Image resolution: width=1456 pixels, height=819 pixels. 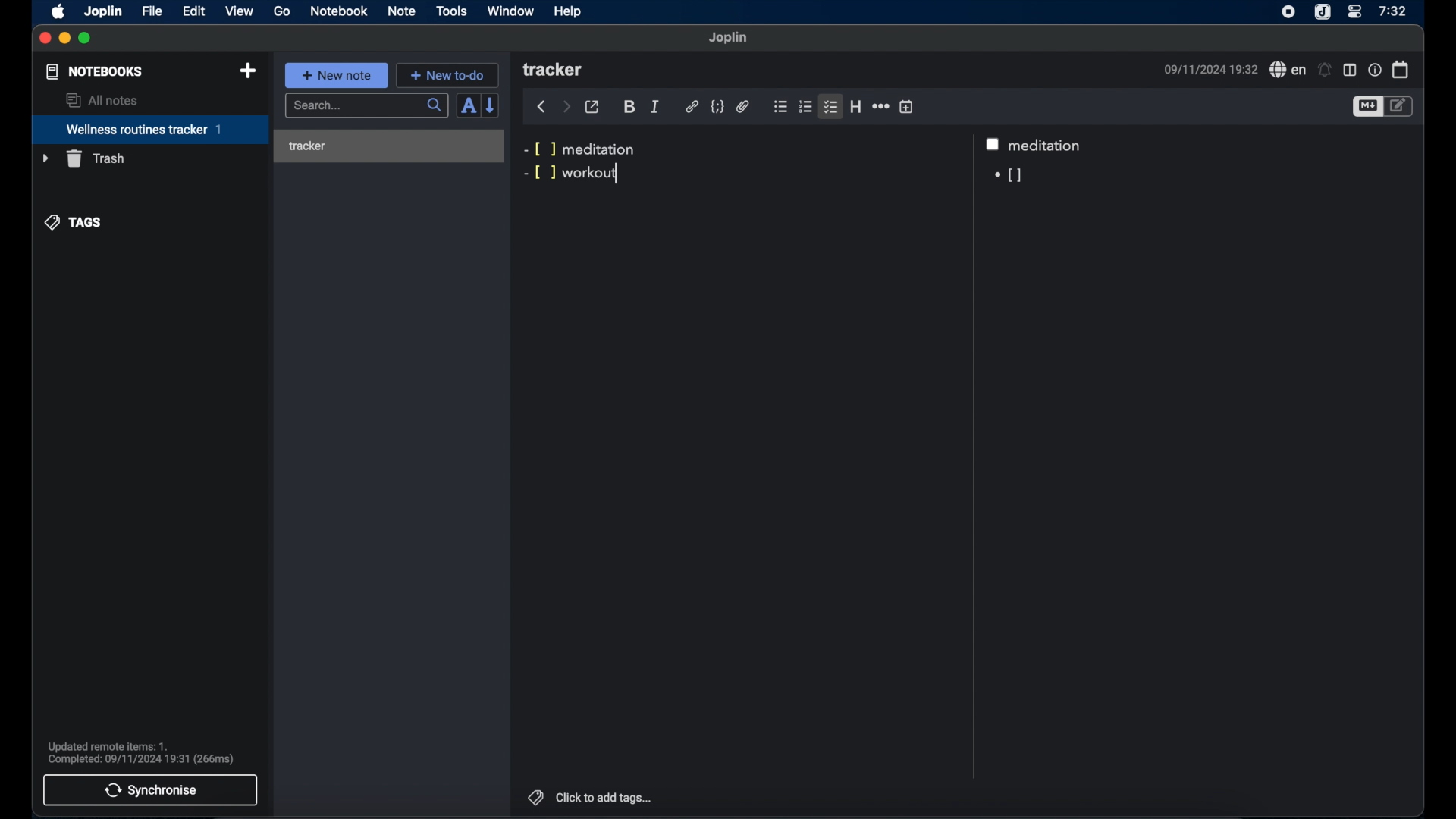 I want to click on toggle external editor, so click(x=592, y=106).